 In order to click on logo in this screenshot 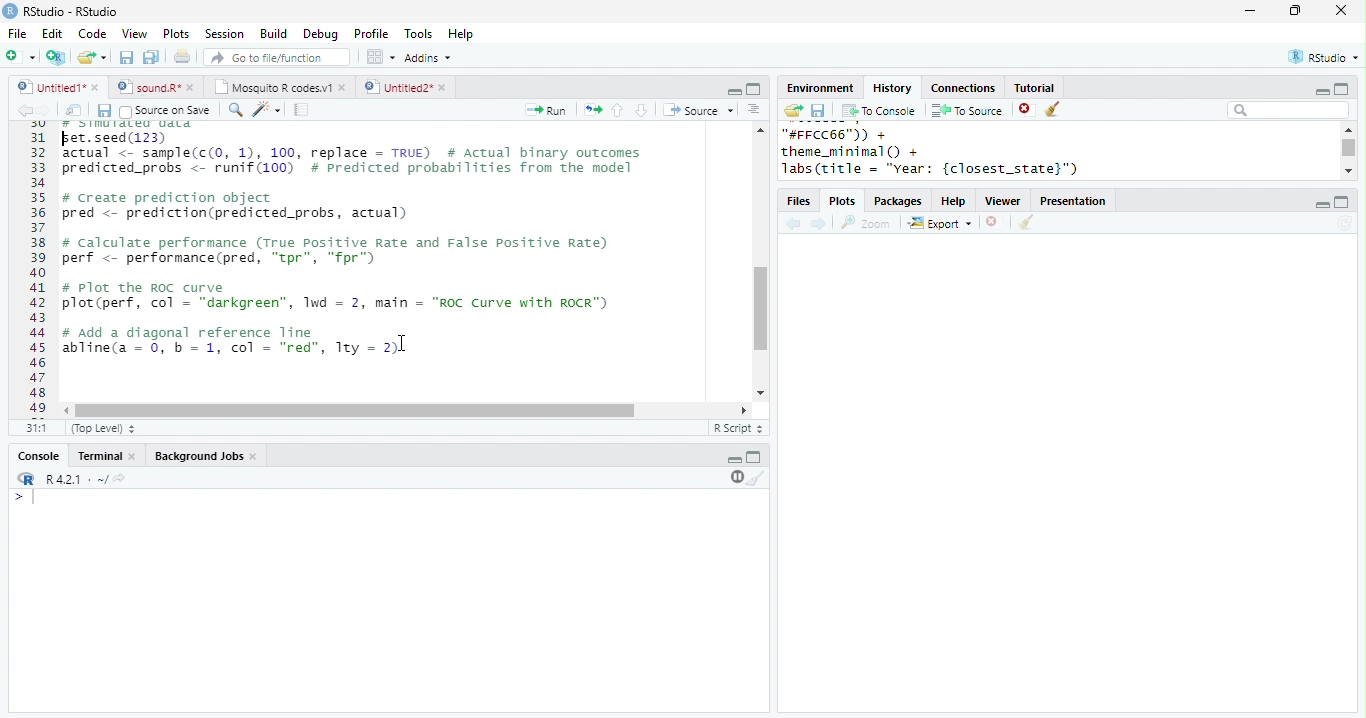, I will do `click(10, 10)`.